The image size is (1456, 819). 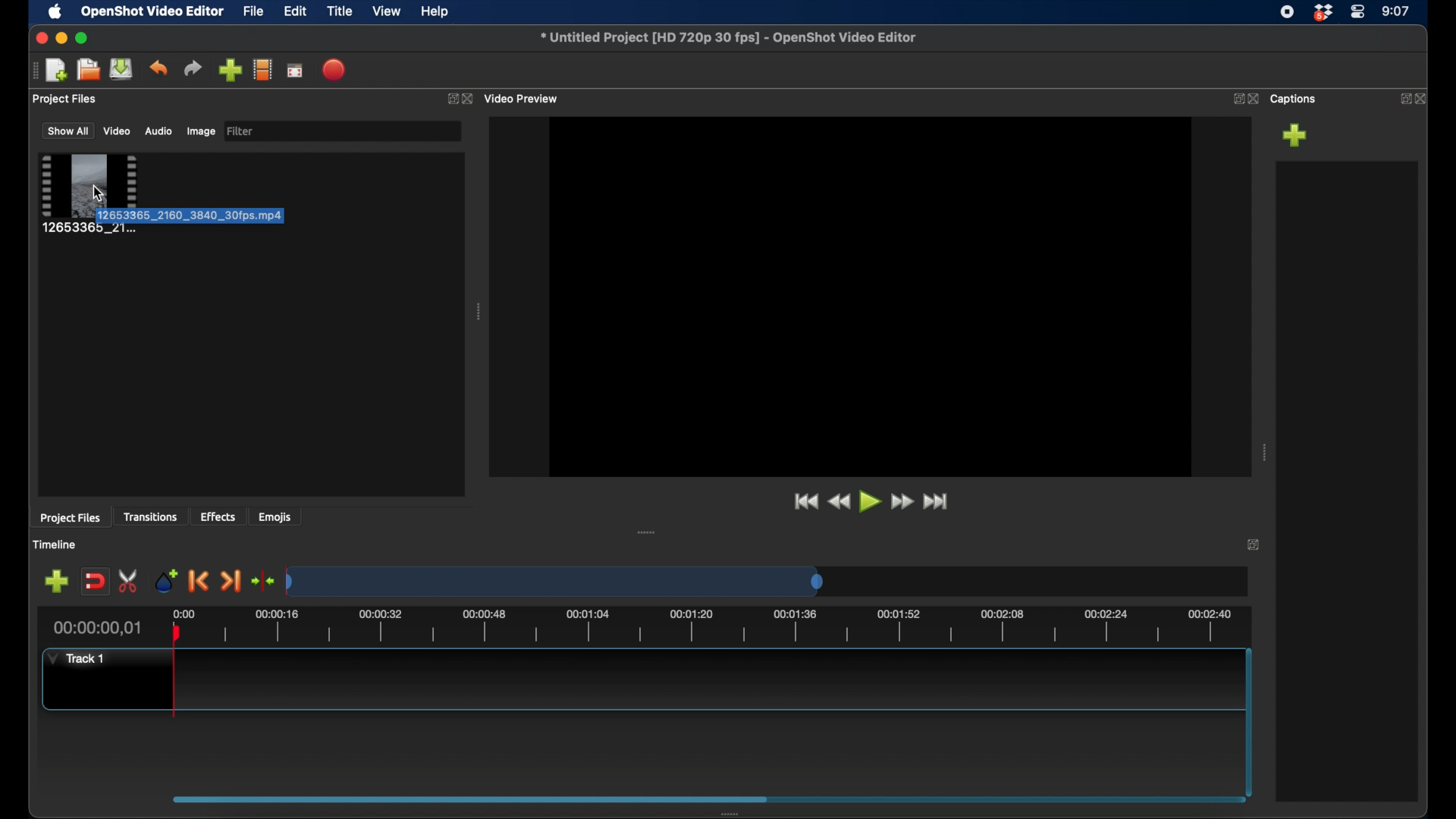 What do you see at coordinates (276, 518) in the screenshot?
I see `emojis` at bounding box center [276, 518].